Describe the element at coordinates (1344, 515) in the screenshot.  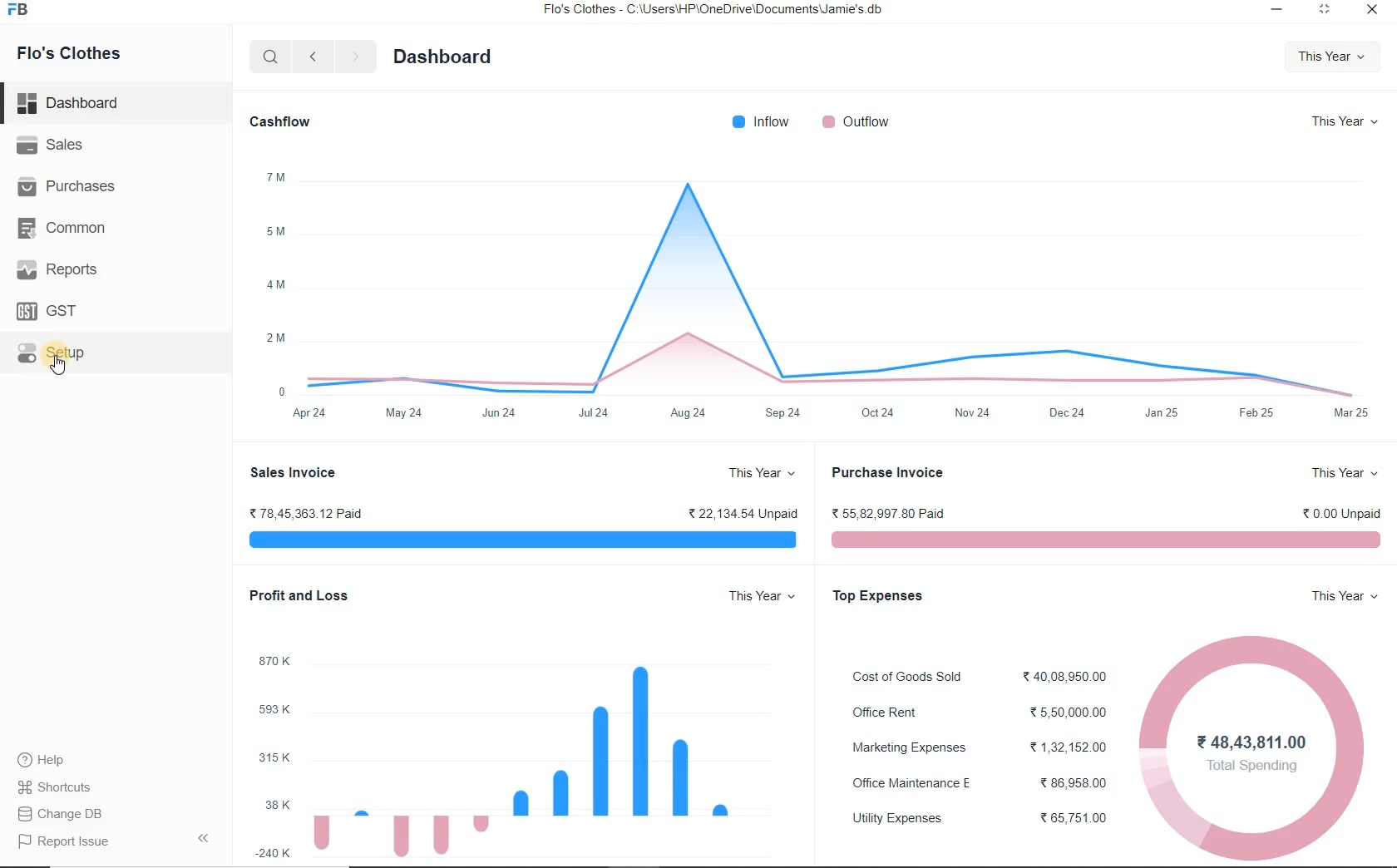
I see `0.00 Unpaid` at that location.